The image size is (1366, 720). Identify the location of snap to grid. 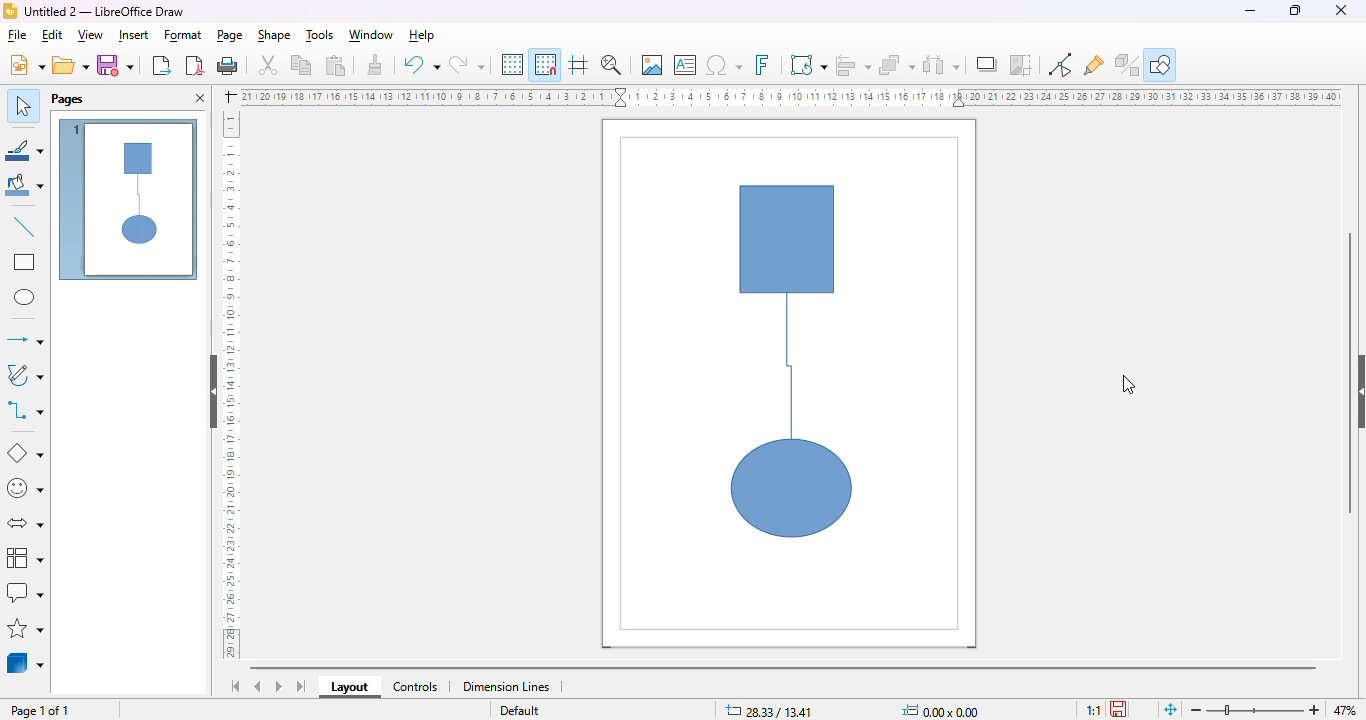
(546, 64).